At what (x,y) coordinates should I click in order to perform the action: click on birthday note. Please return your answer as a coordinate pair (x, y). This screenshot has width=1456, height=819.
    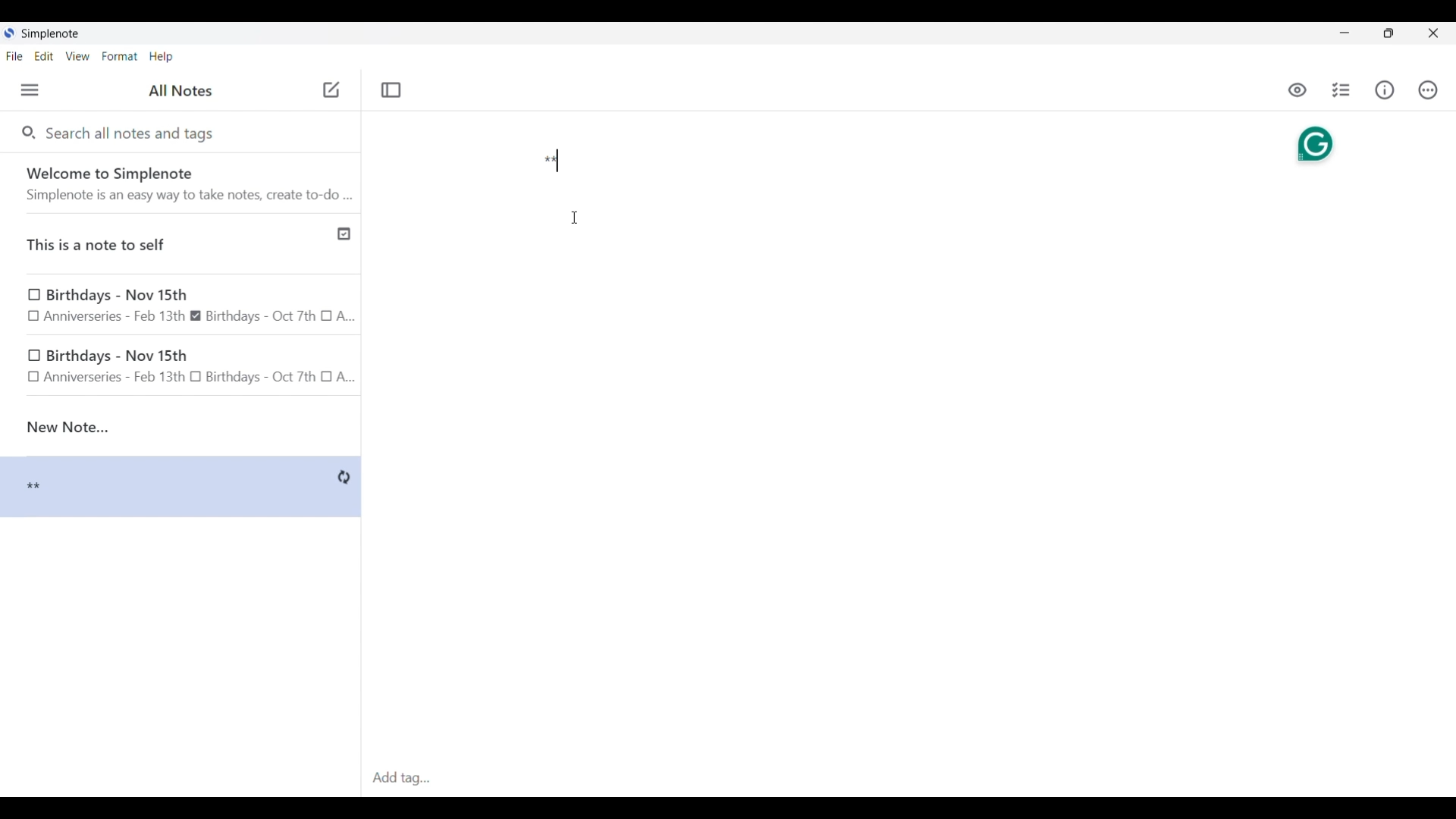
    Looking at the image, I should click on (182, 369).